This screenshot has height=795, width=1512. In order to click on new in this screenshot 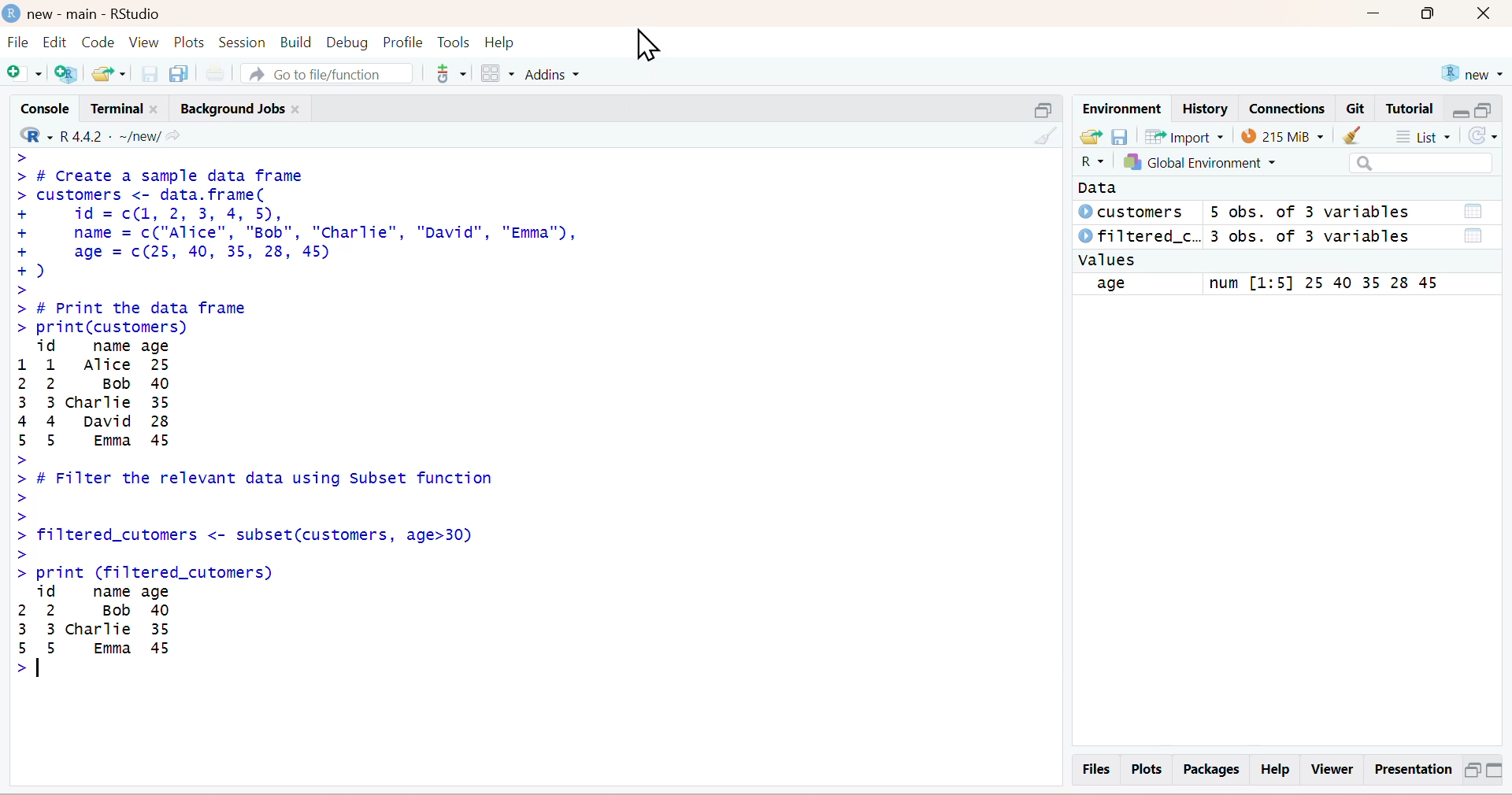, I will do `click(1471, 71)`.